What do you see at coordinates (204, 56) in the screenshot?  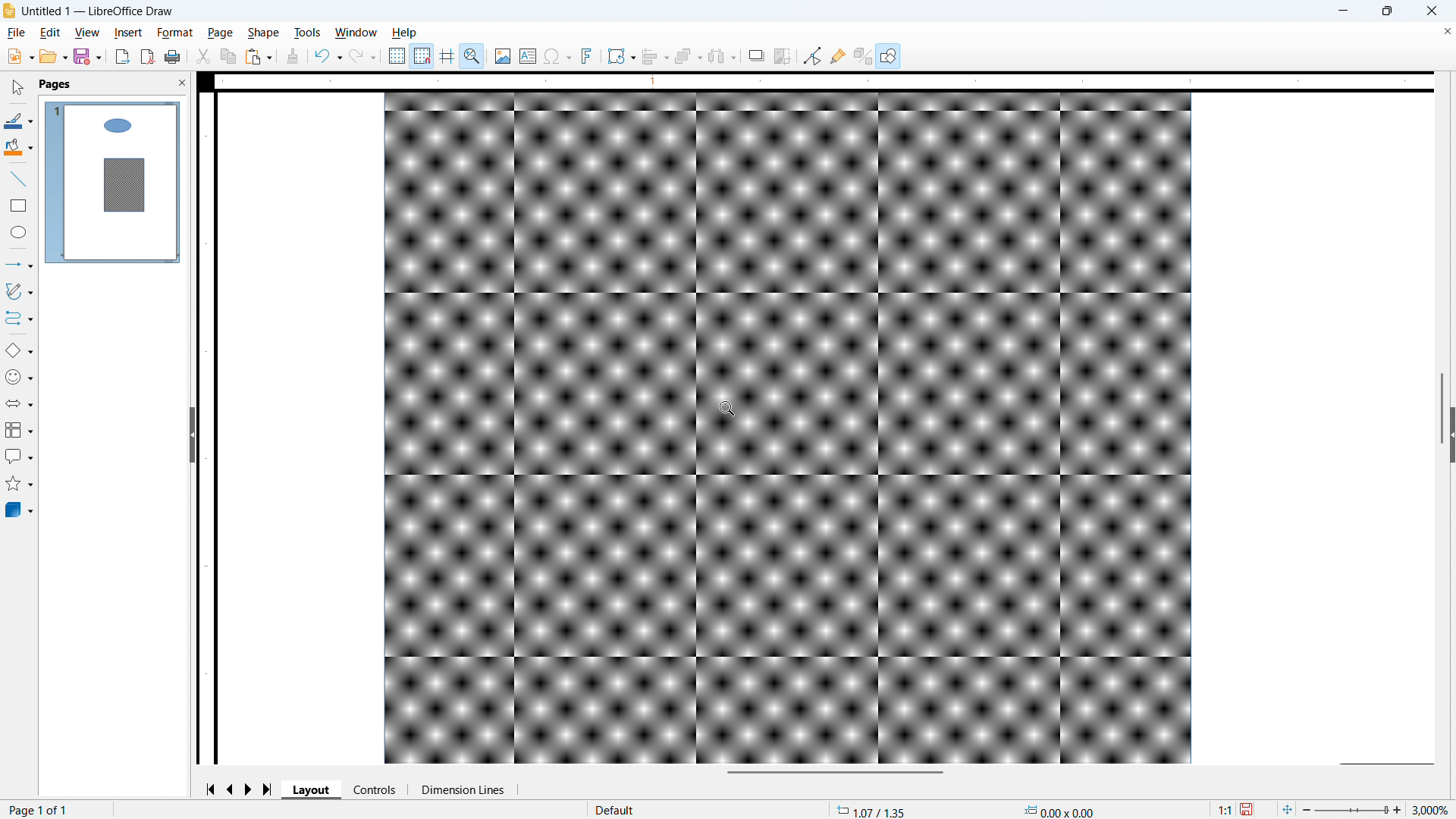 I see `cut ` at bounding box center [204, 56].